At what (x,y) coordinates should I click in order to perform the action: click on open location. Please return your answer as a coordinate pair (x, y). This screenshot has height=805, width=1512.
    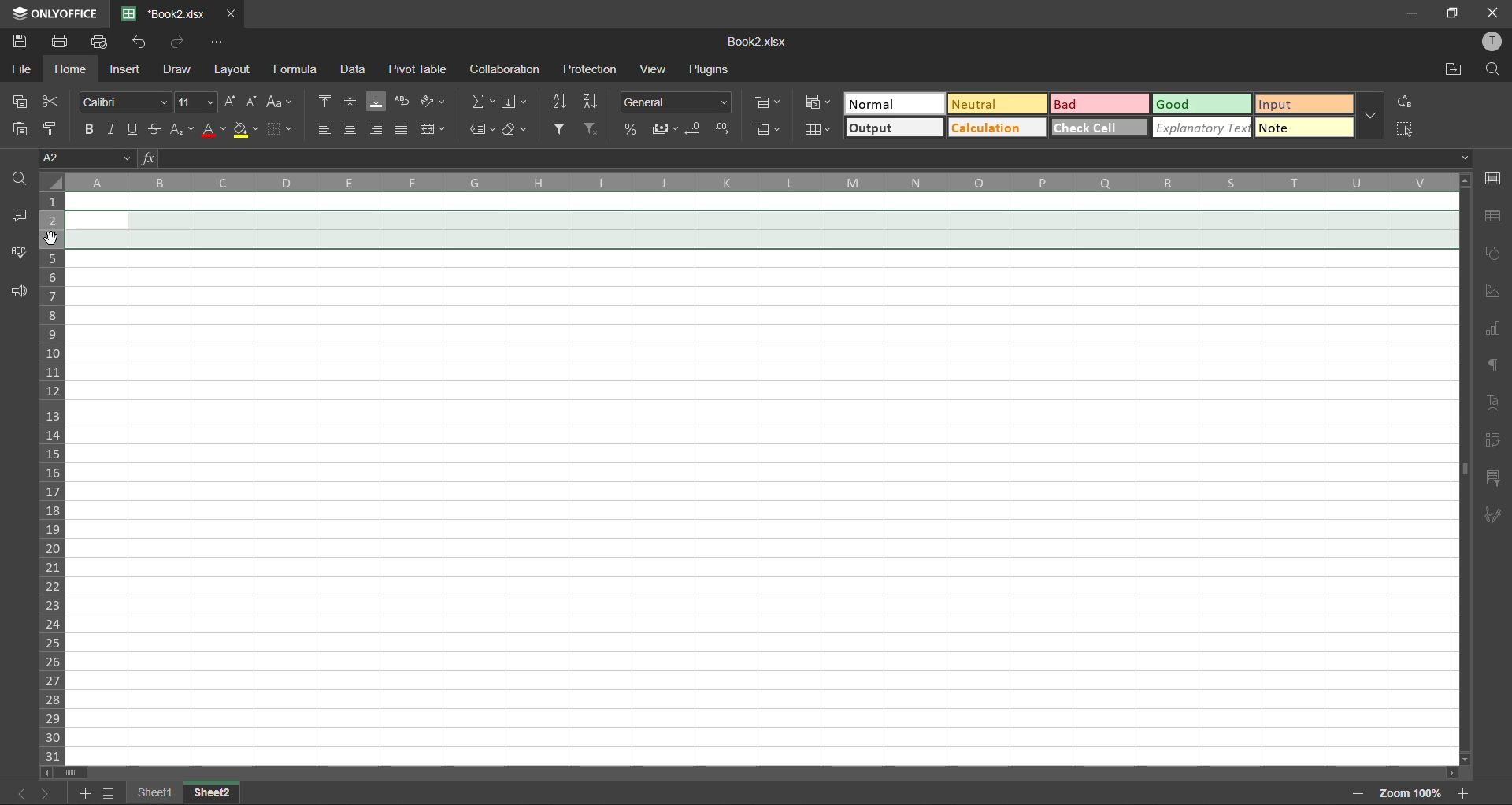
    Looking at the image, I should click on (1452, 69).